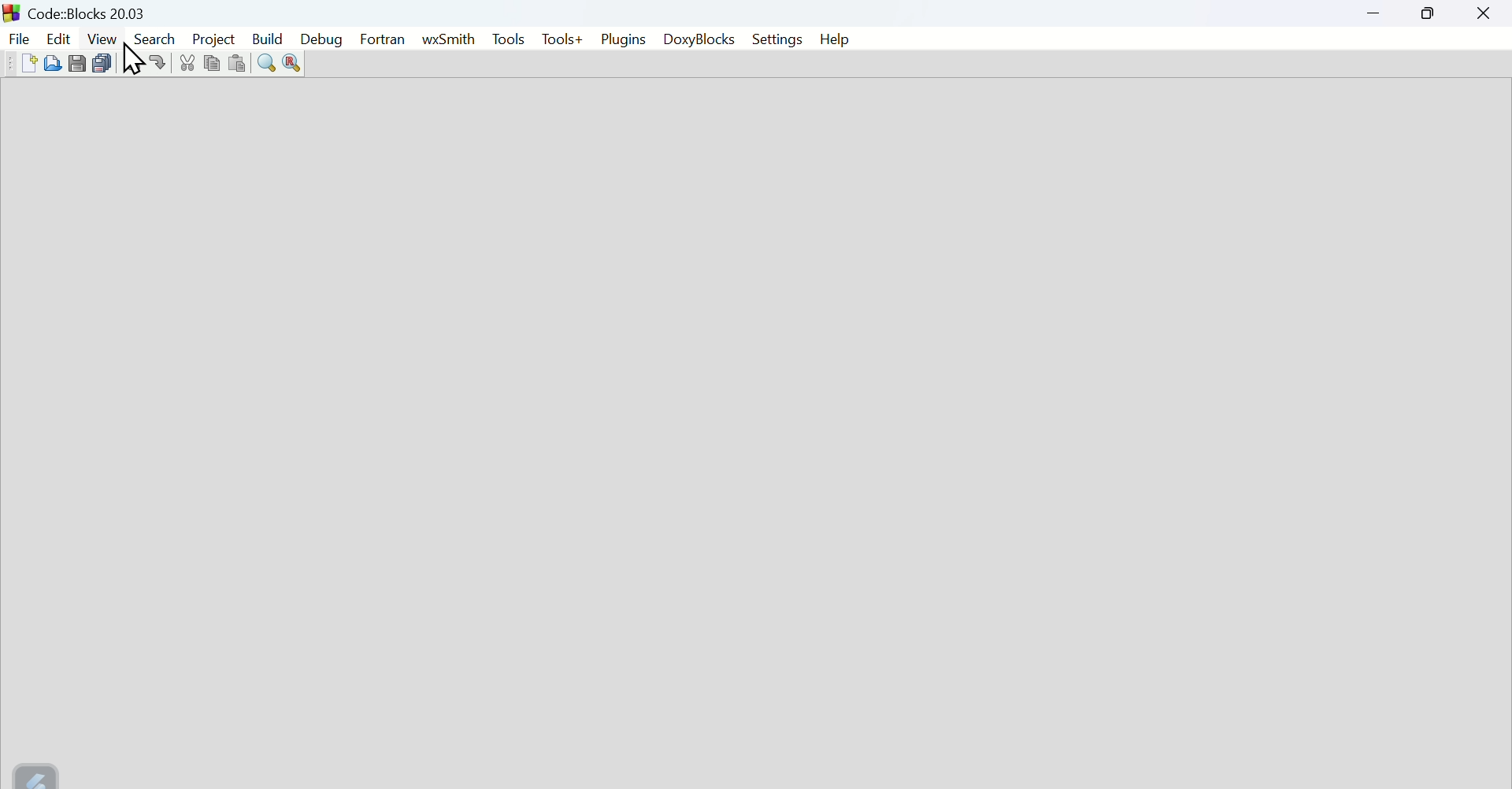 The image size is (1512, 789). Describe the element at coordinates (132, 61) in the screenshot. I see `Cursor` at that location.